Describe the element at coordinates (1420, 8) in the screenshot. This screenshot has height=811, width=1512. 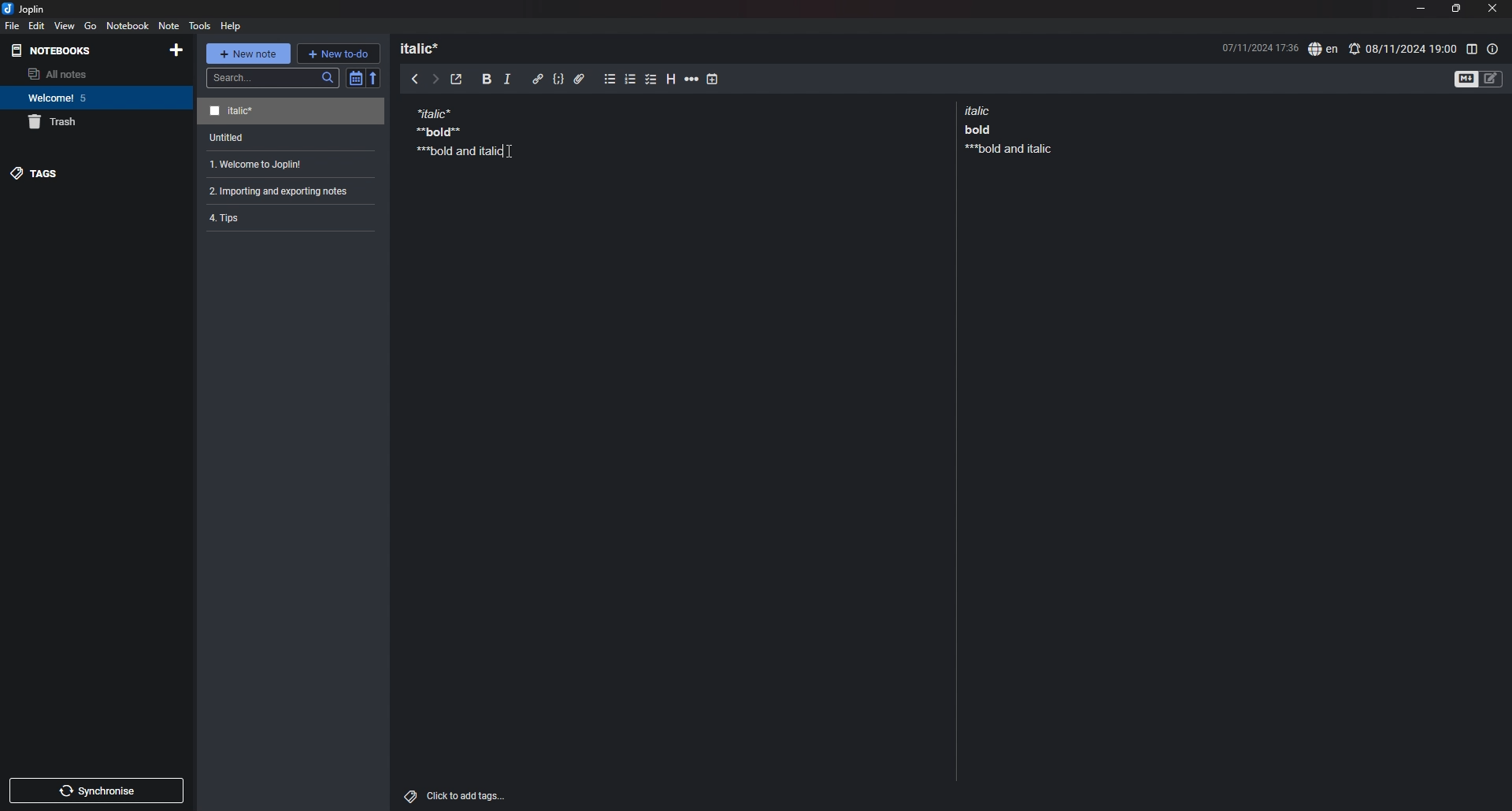
I see `minimize` at that location.